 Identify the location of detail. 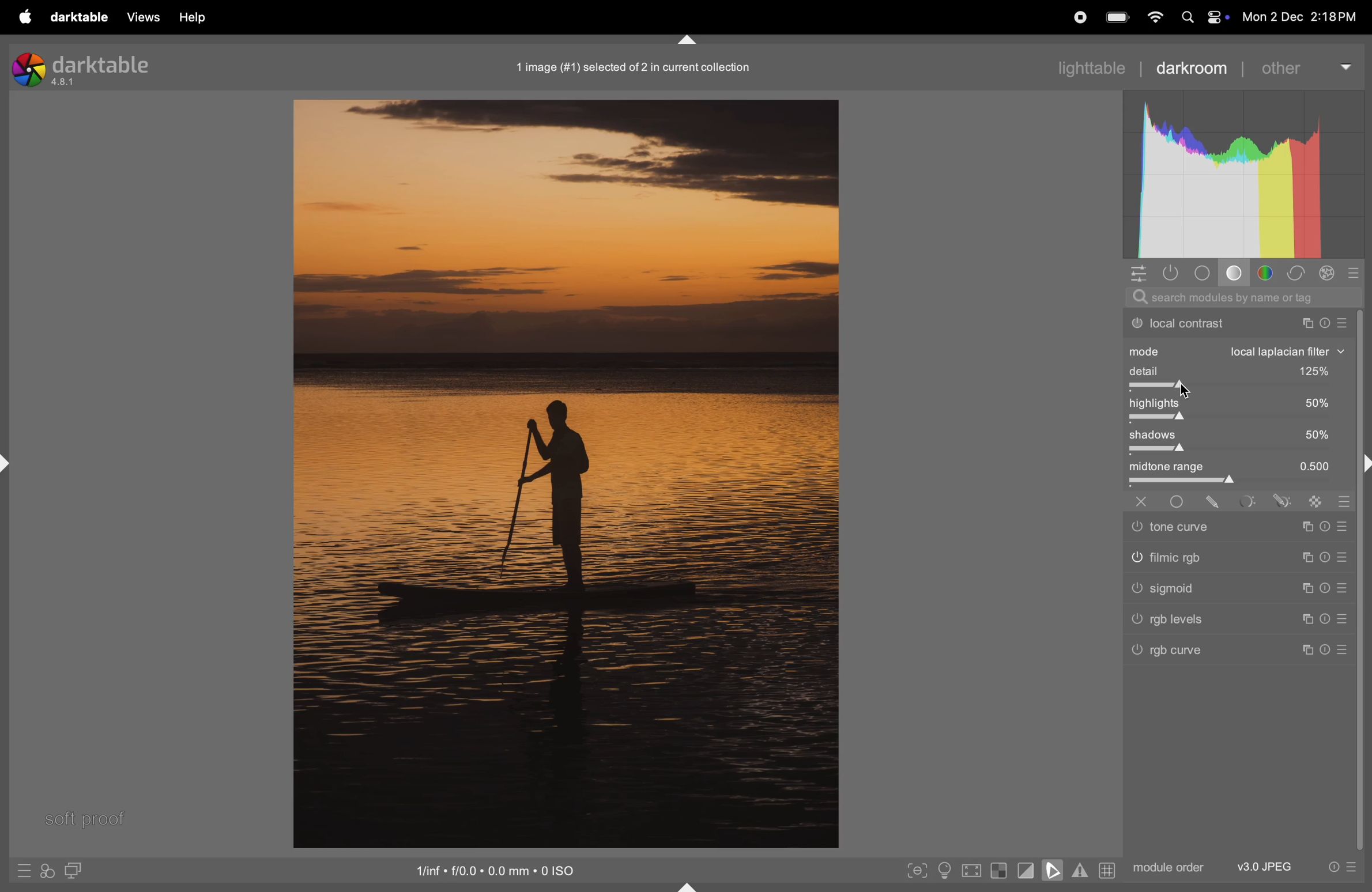
(1235, 370).